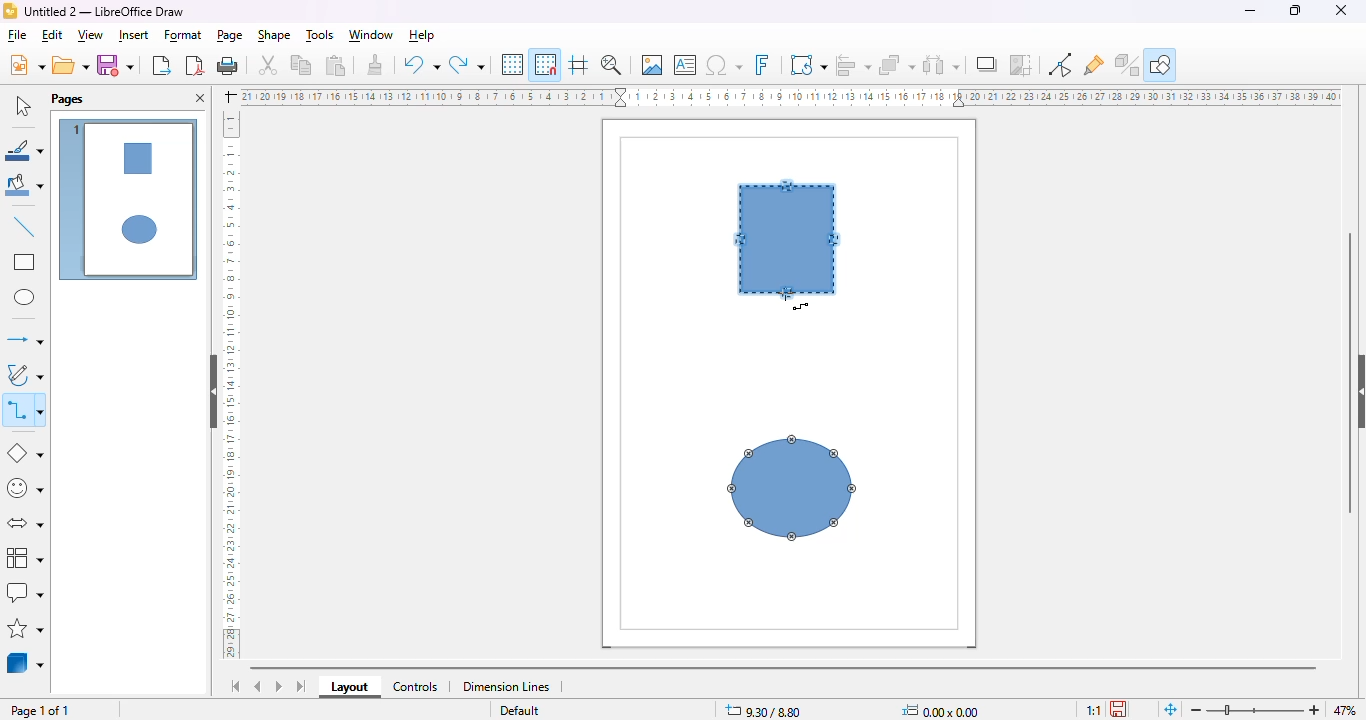  What do you see at coordinates (724, 65) in the screenshot?
I see `insert special characters` at bounding box center [724, 65].